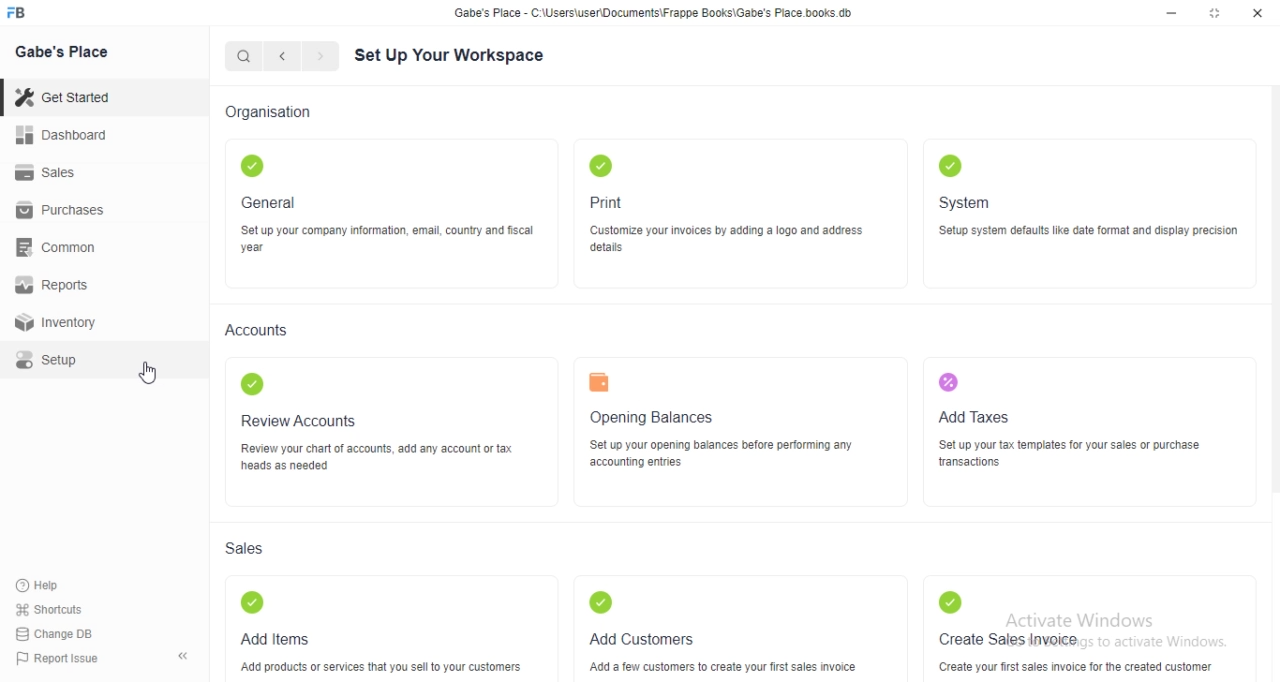 The height and width of the screenshot is (682, 1280). What do you see at coordinates (57, 286) in the screenshot?
I see `Reports` at bounding box center [57, 286].